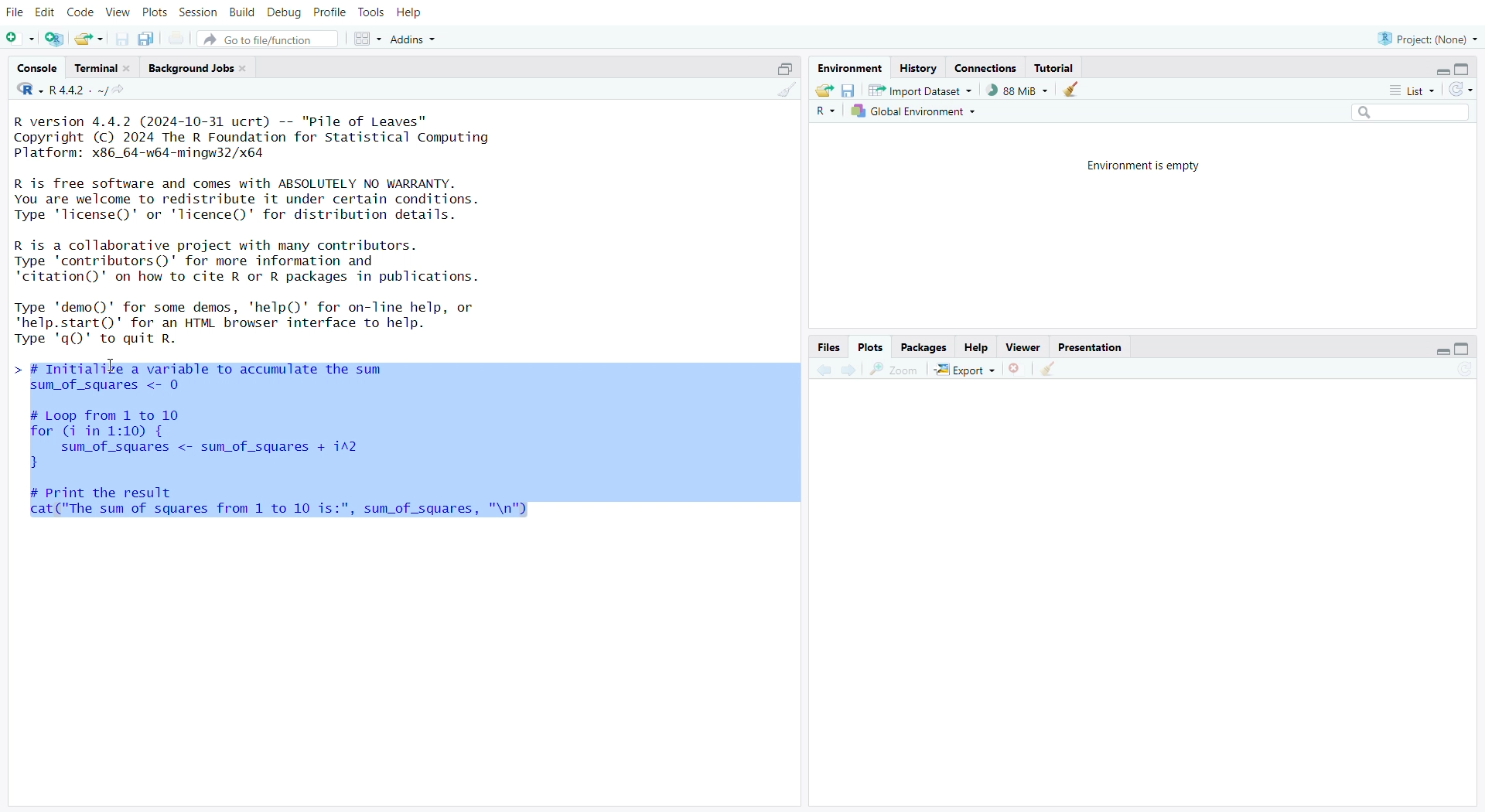  I want to click on environment, so click(847, 68).